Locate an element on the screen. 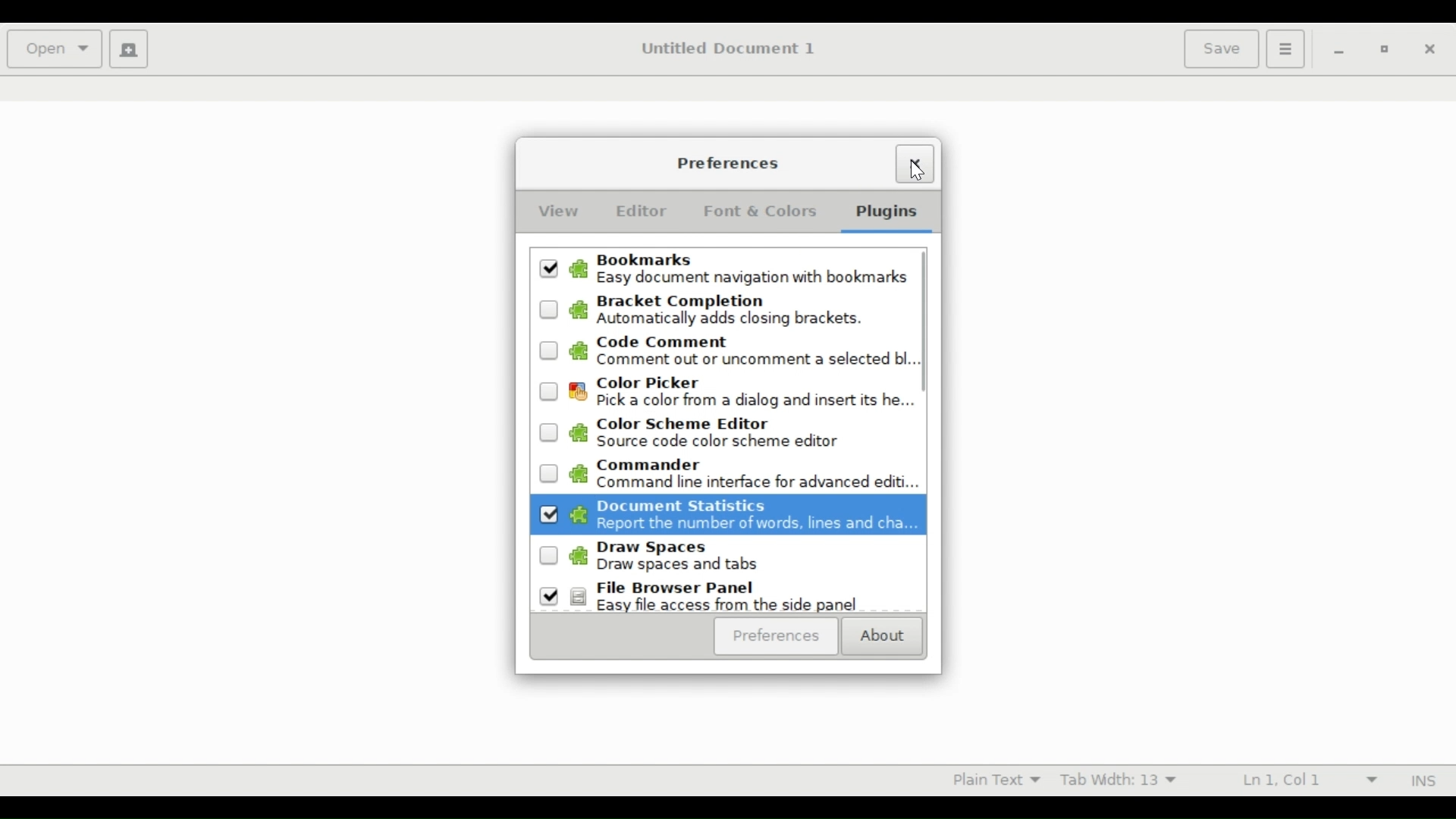 This screenshot has height=819, width=1456. minimize is located at coordinates (1336, 51).